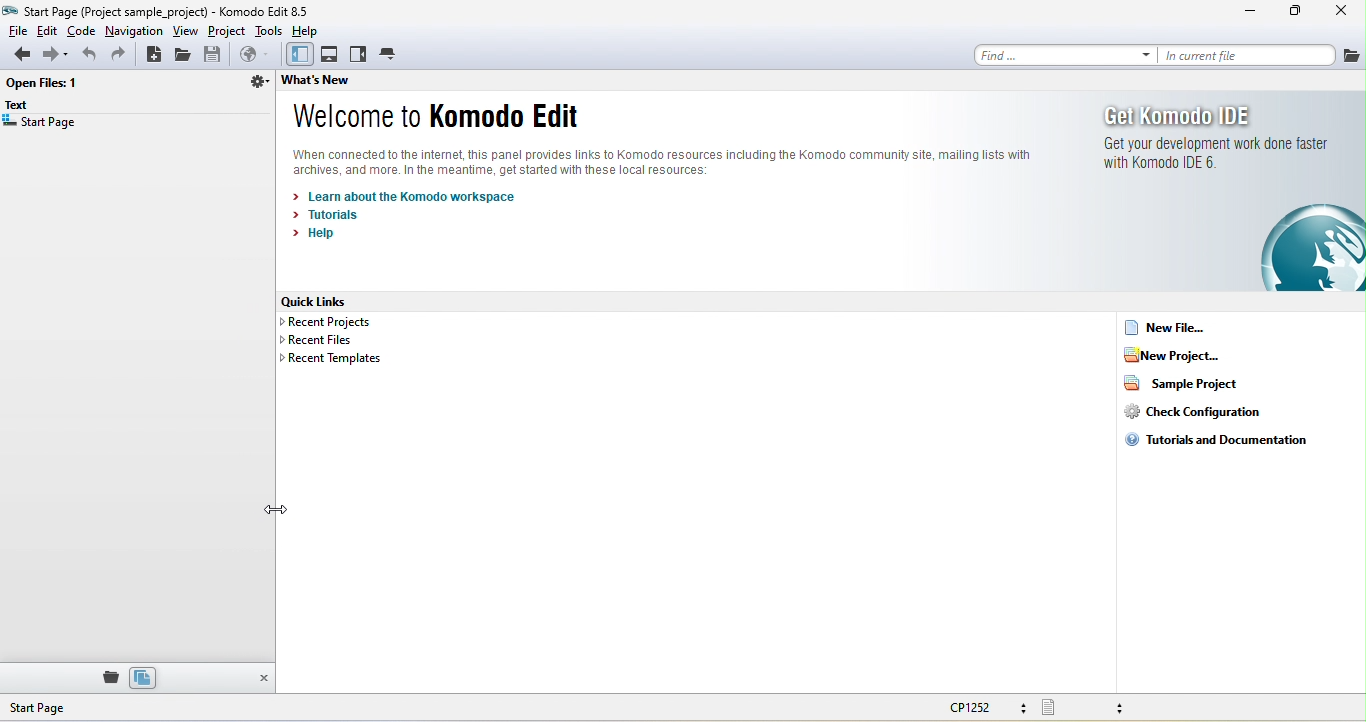 The image size is (1366, 722). Describe the element at coordinates (359, 55) in the screenshot. I see `right pane` at that location.